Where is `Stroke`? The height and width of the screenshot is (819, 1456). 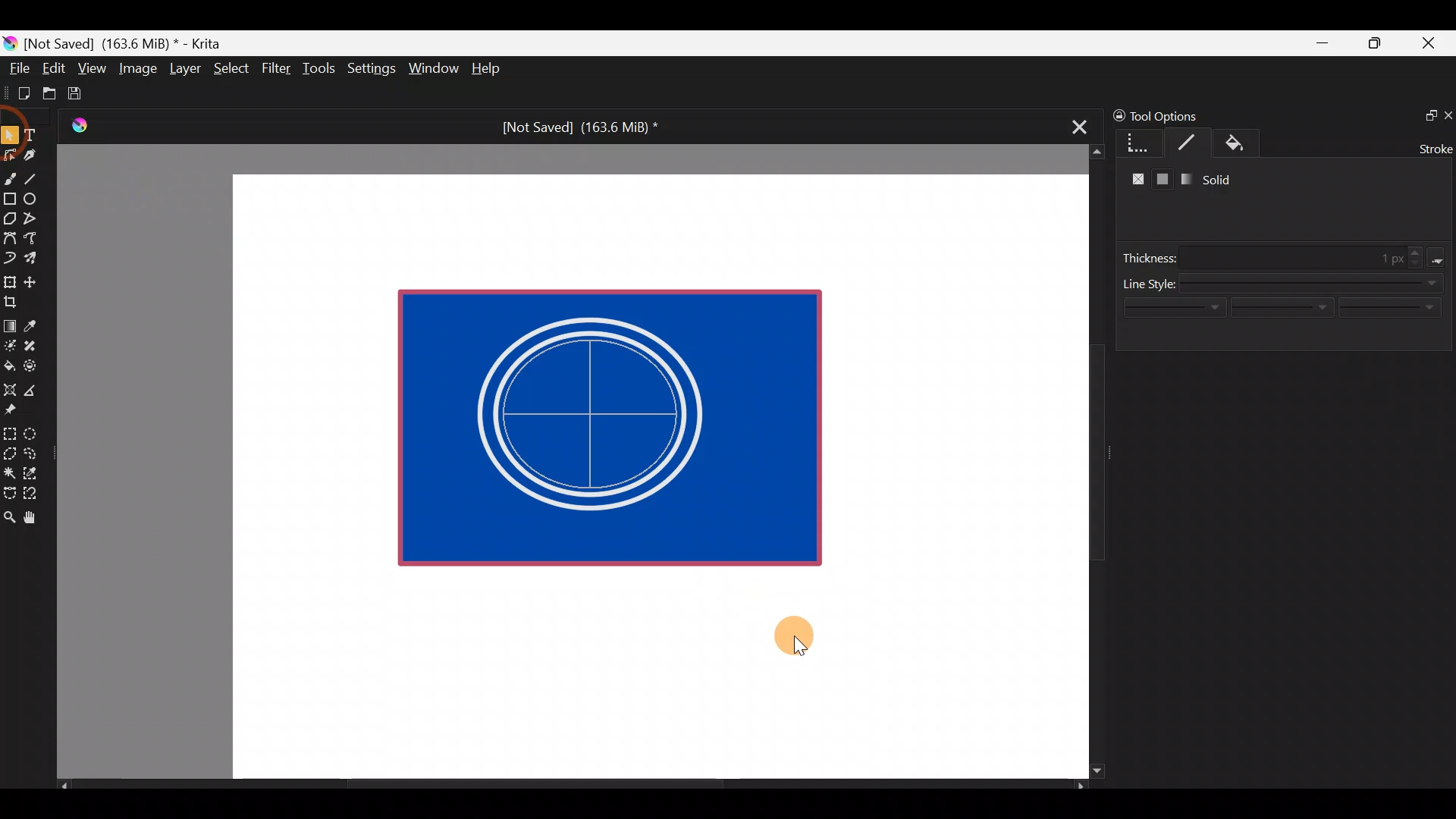
Stroke is located at coordinates (1432, 147).